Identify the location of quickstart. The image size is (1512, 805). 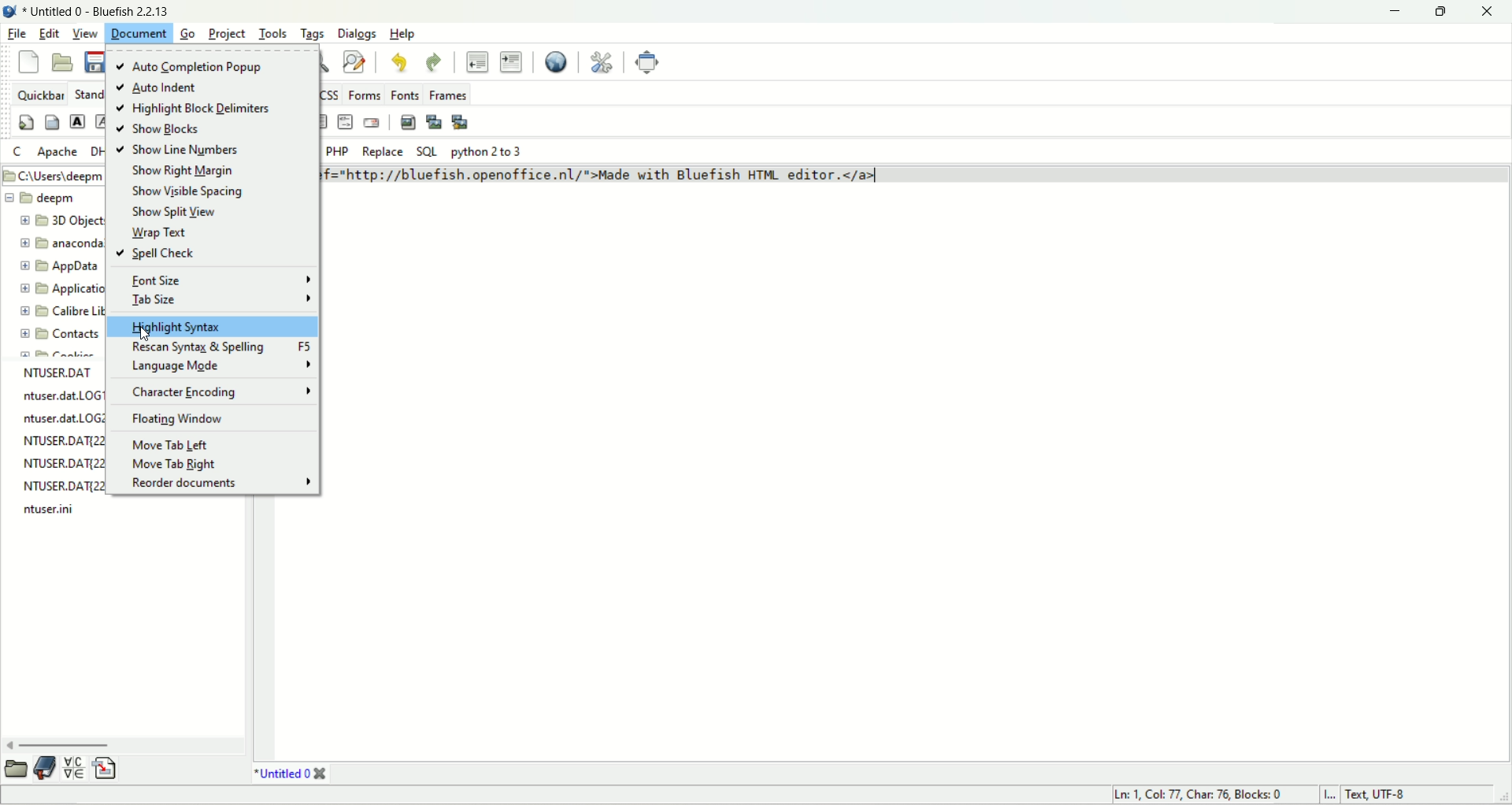
(27, 121).